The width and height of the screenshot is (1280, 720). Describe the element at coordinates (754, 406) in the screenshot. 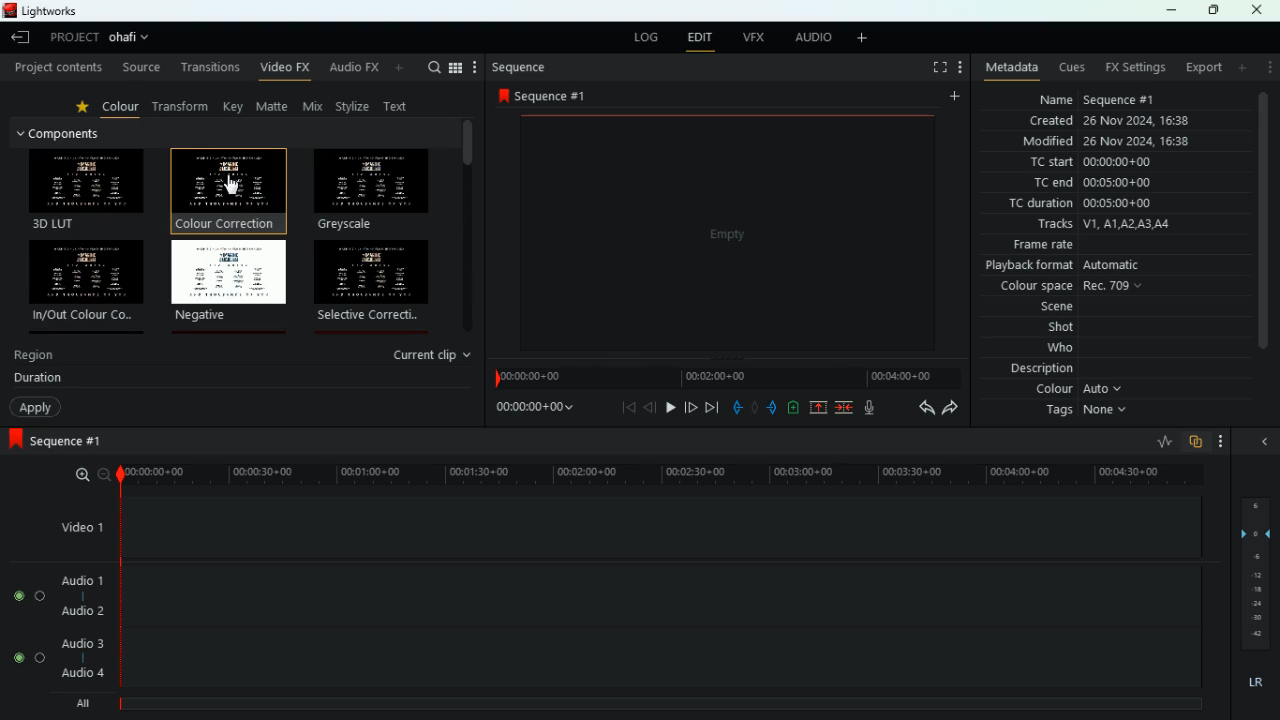

I see `middle` at that location.